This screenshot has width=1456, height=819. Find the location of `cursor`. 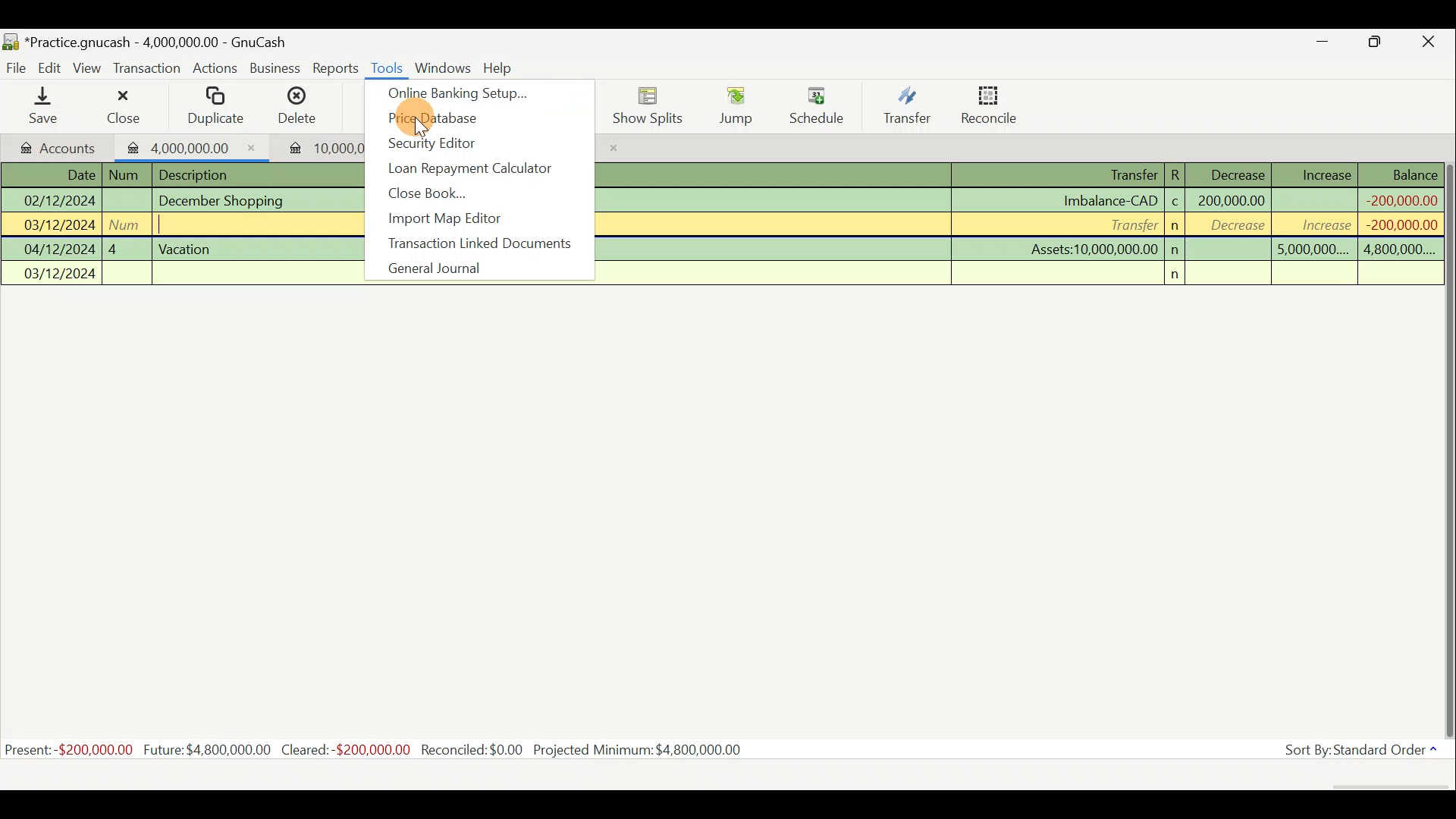

cursor is located at coordinates (425, 127).